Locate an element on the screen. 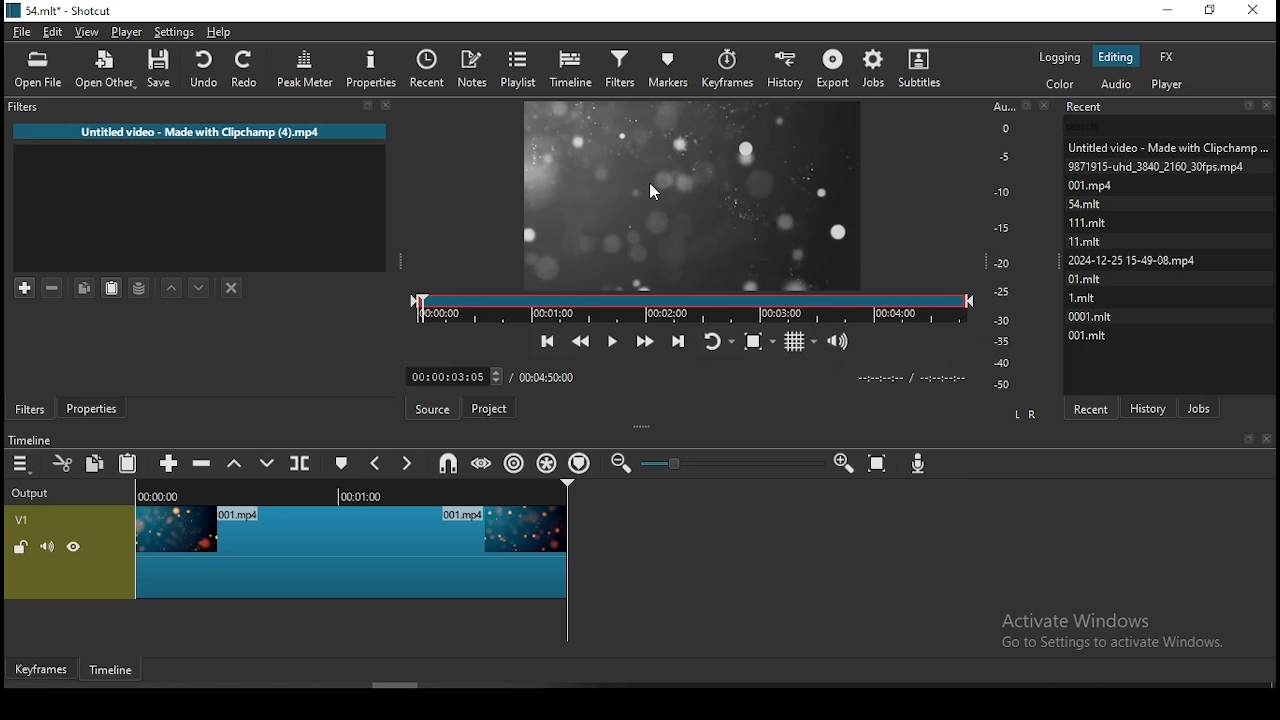 The height and width of the screenshot is (720, 1280). (un)hide is located at coordinates (73, 549).